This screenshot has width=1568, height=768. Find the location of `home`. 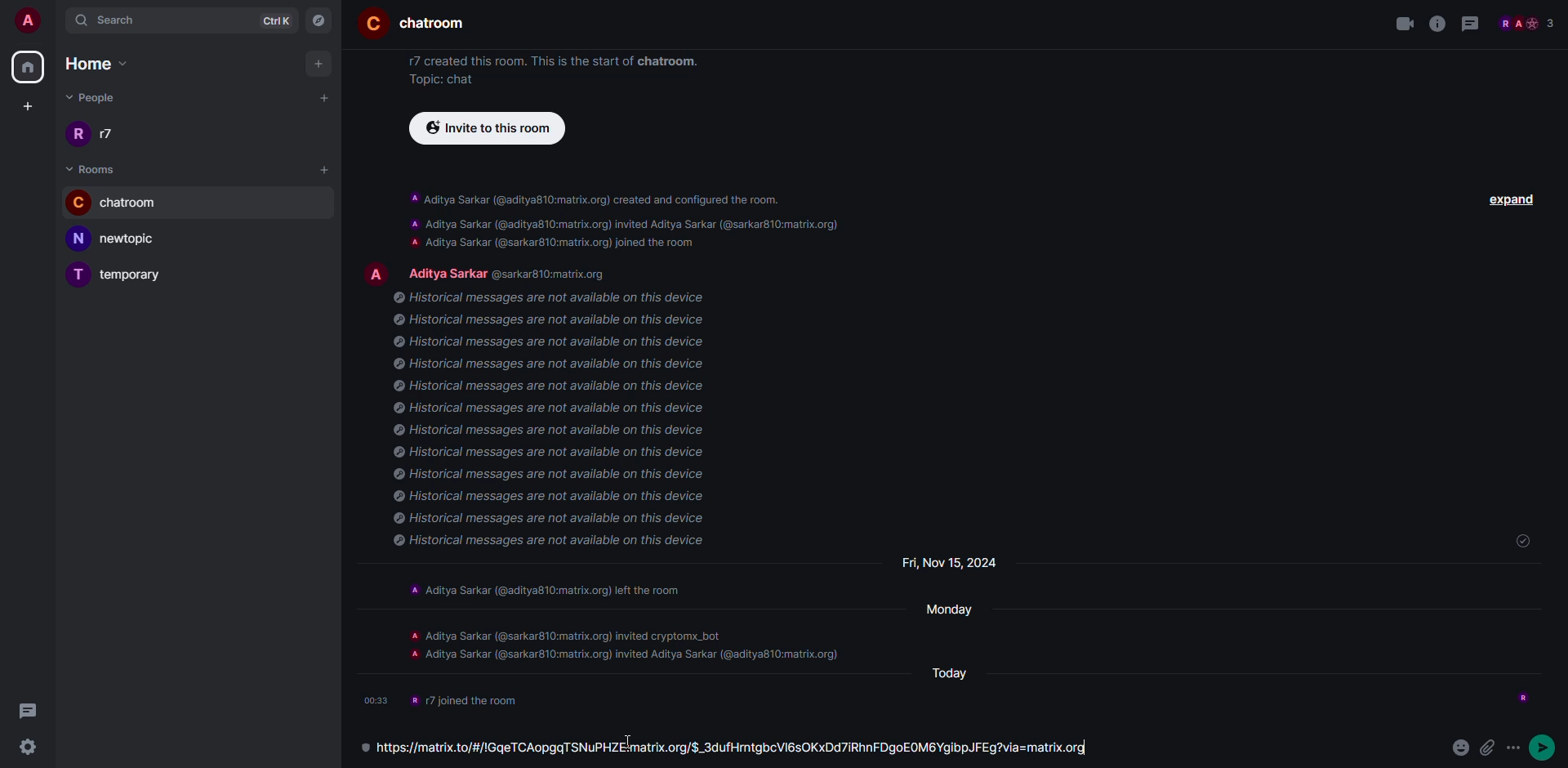

home is located at coordinates (29, 66).